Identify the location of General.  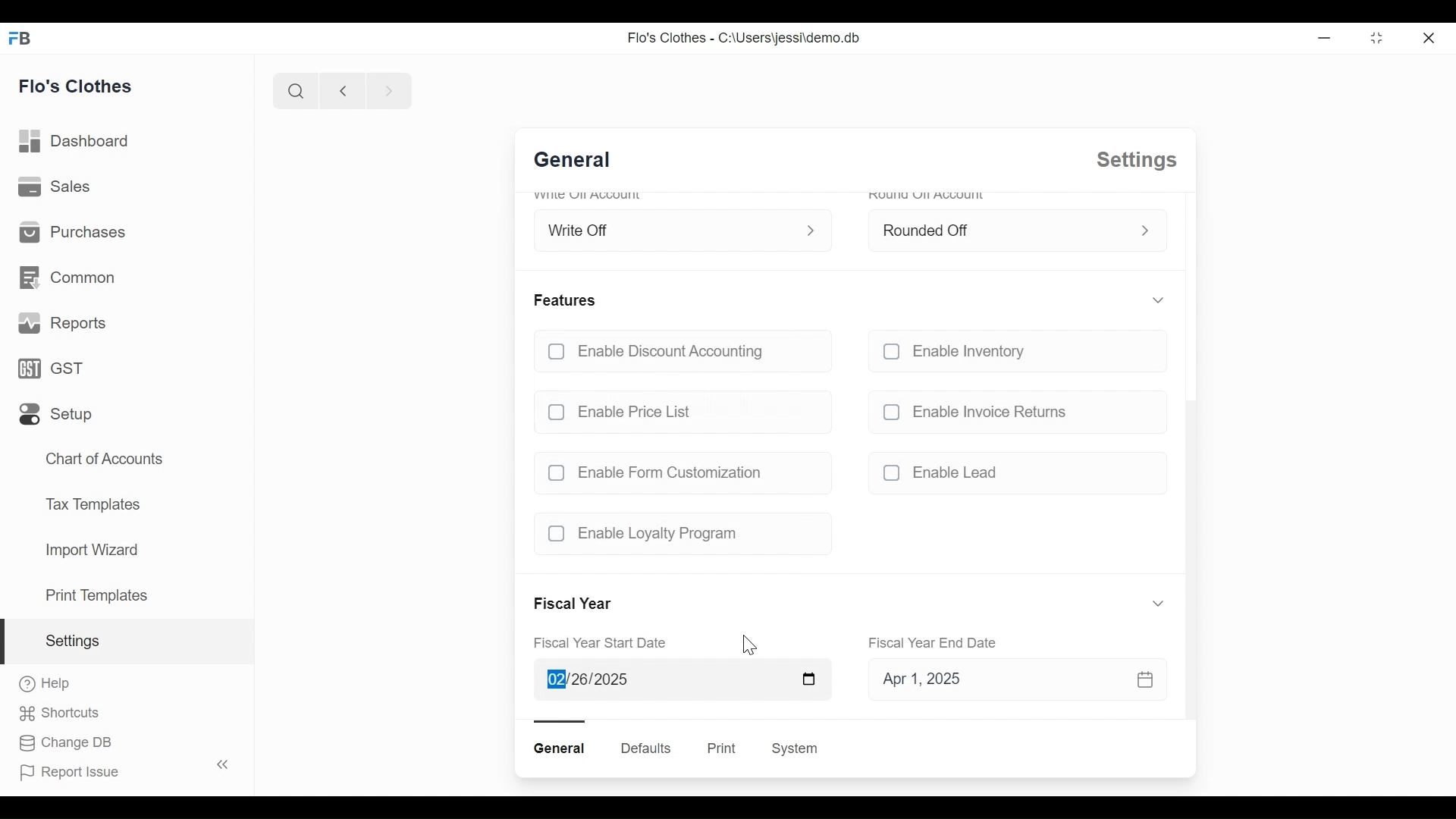
(562, 748).